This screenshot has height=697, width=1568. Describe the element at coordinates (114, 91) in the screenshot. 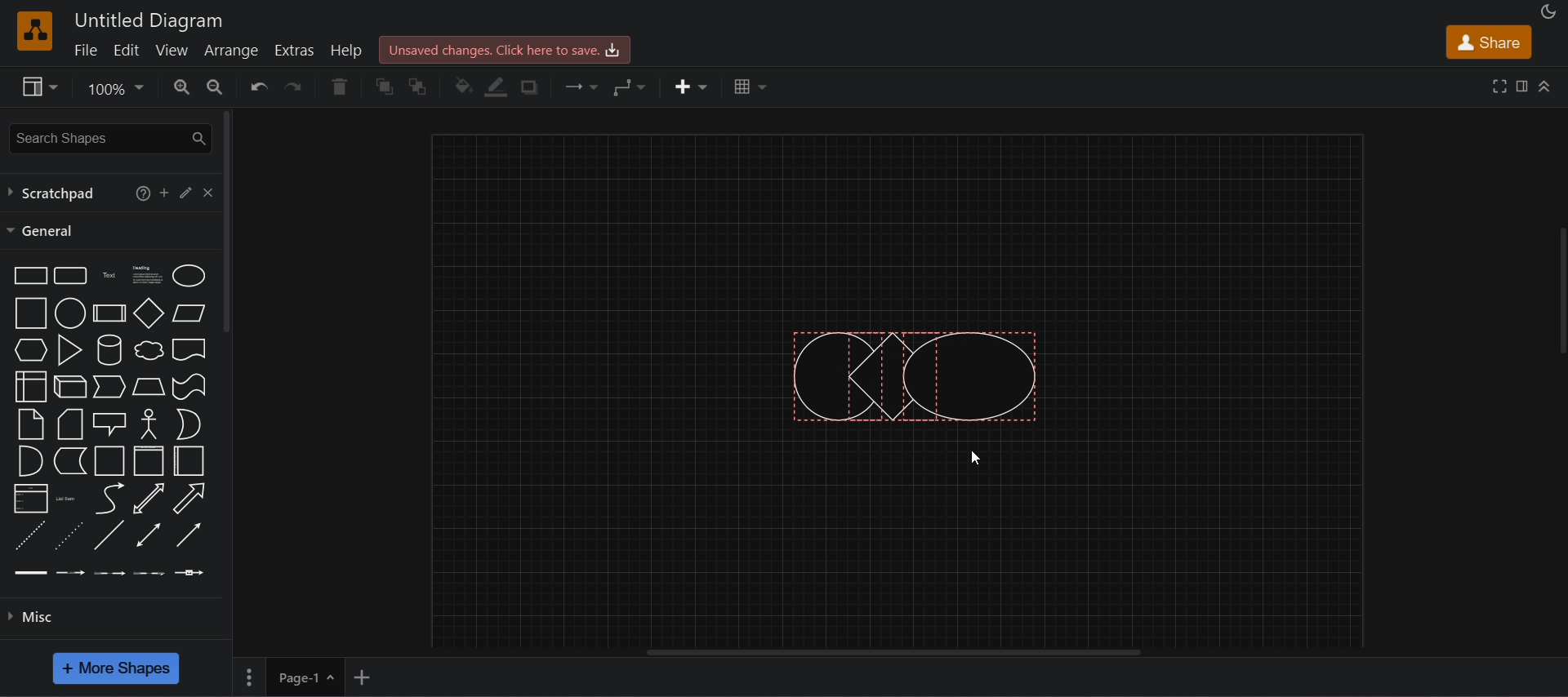

I see `zoom` at that location.